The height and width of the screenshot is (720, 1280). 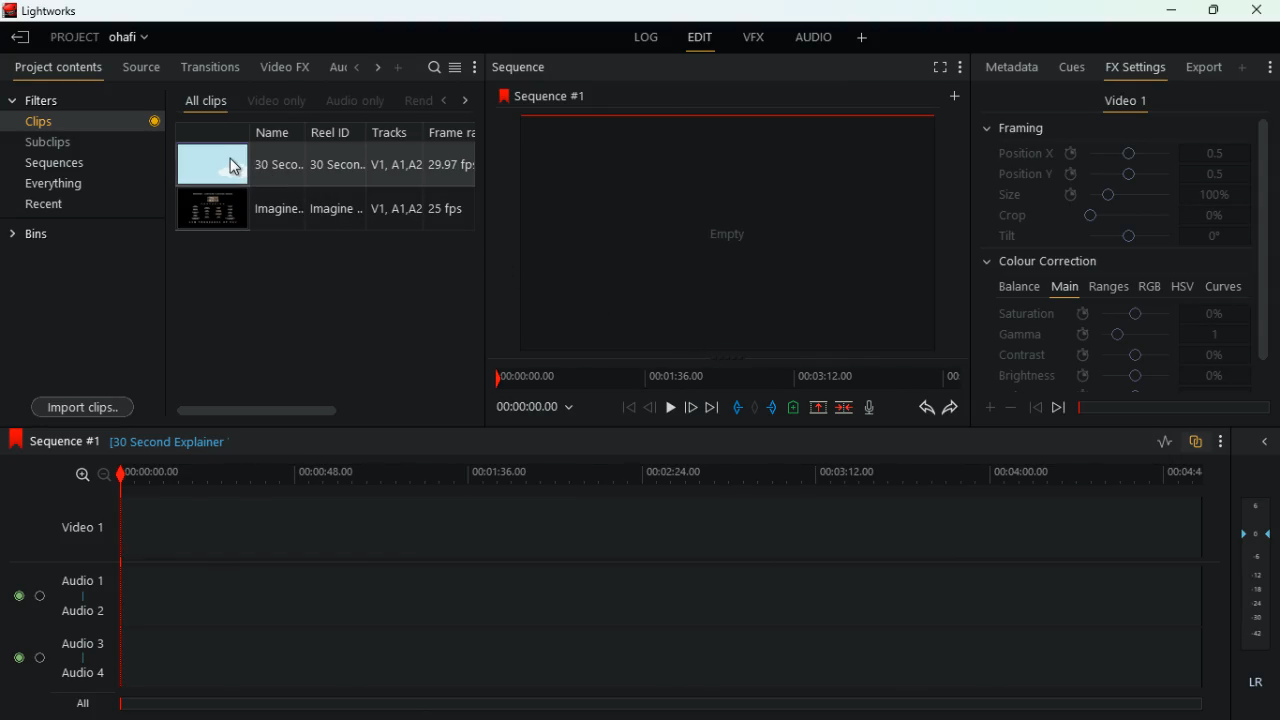 I want to click on audio, so click(x=813, y=38).